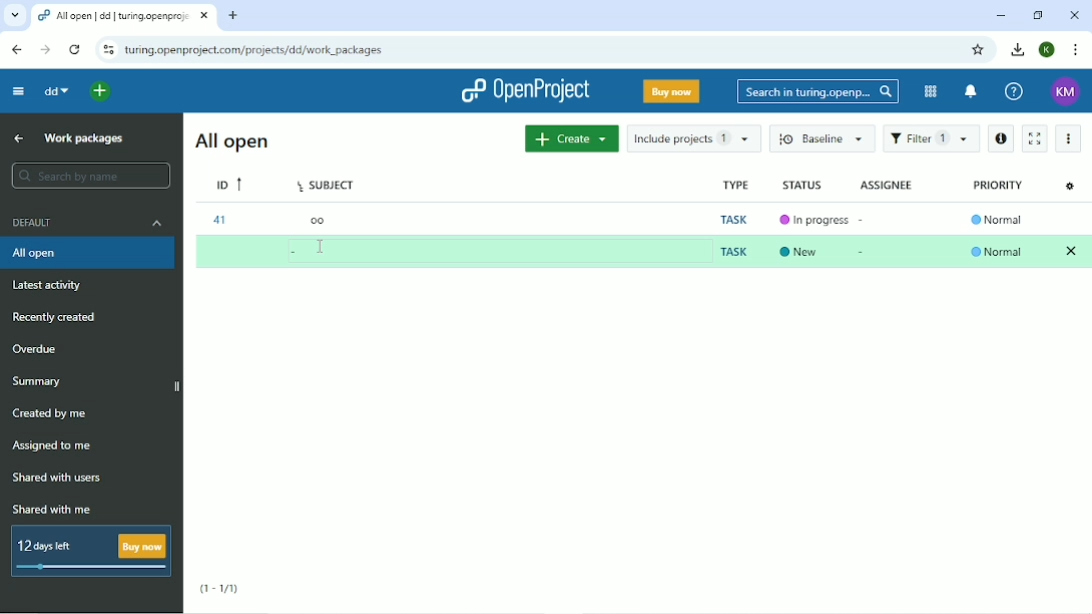 The image size is (1092, 614). Describe the element at coordinates (1074, 14) in the screenshot. I see `Close` at that location.